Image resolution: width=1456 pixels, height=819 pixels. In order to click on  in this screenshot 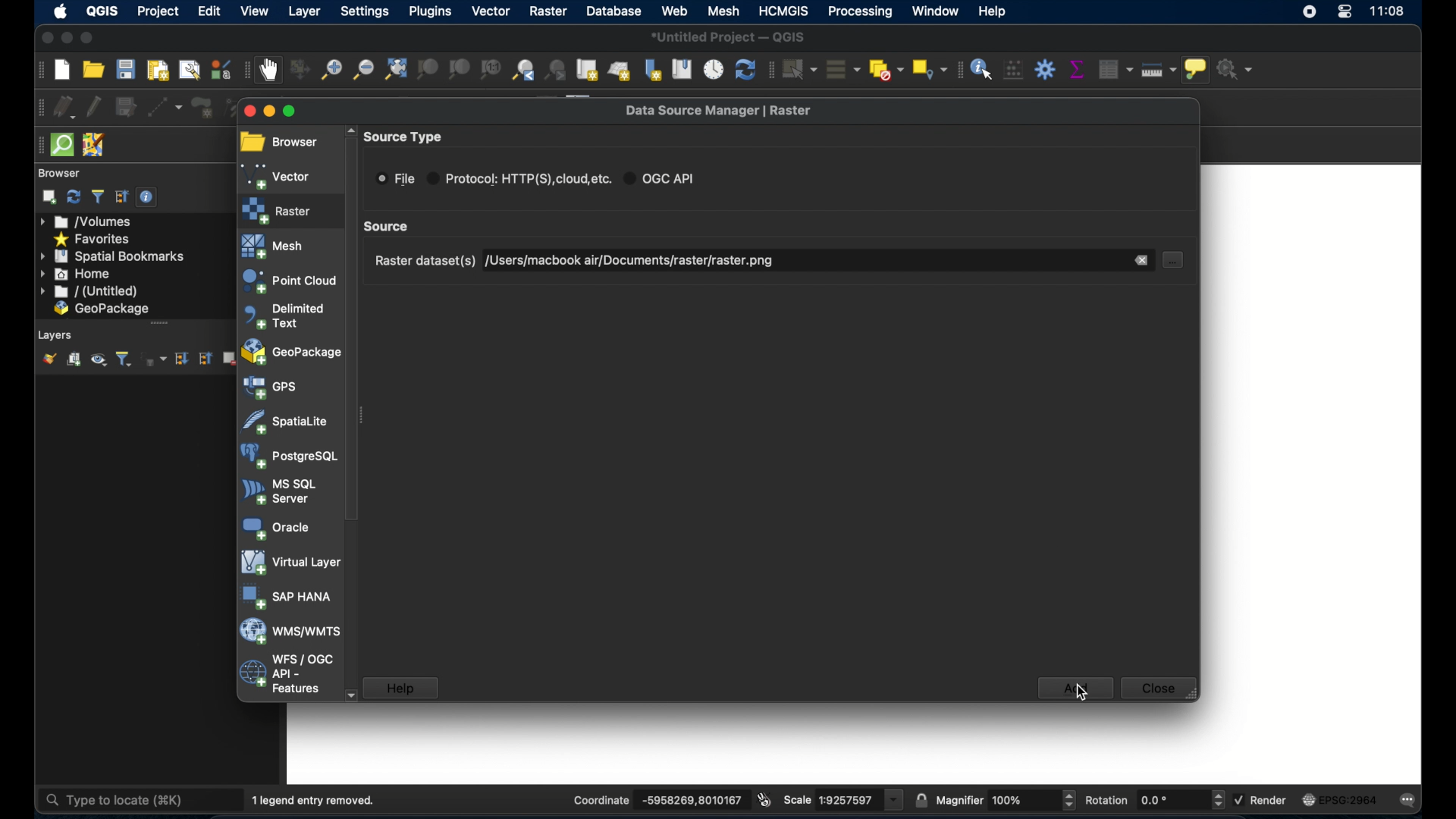, I will do `click(1012, 800)`.